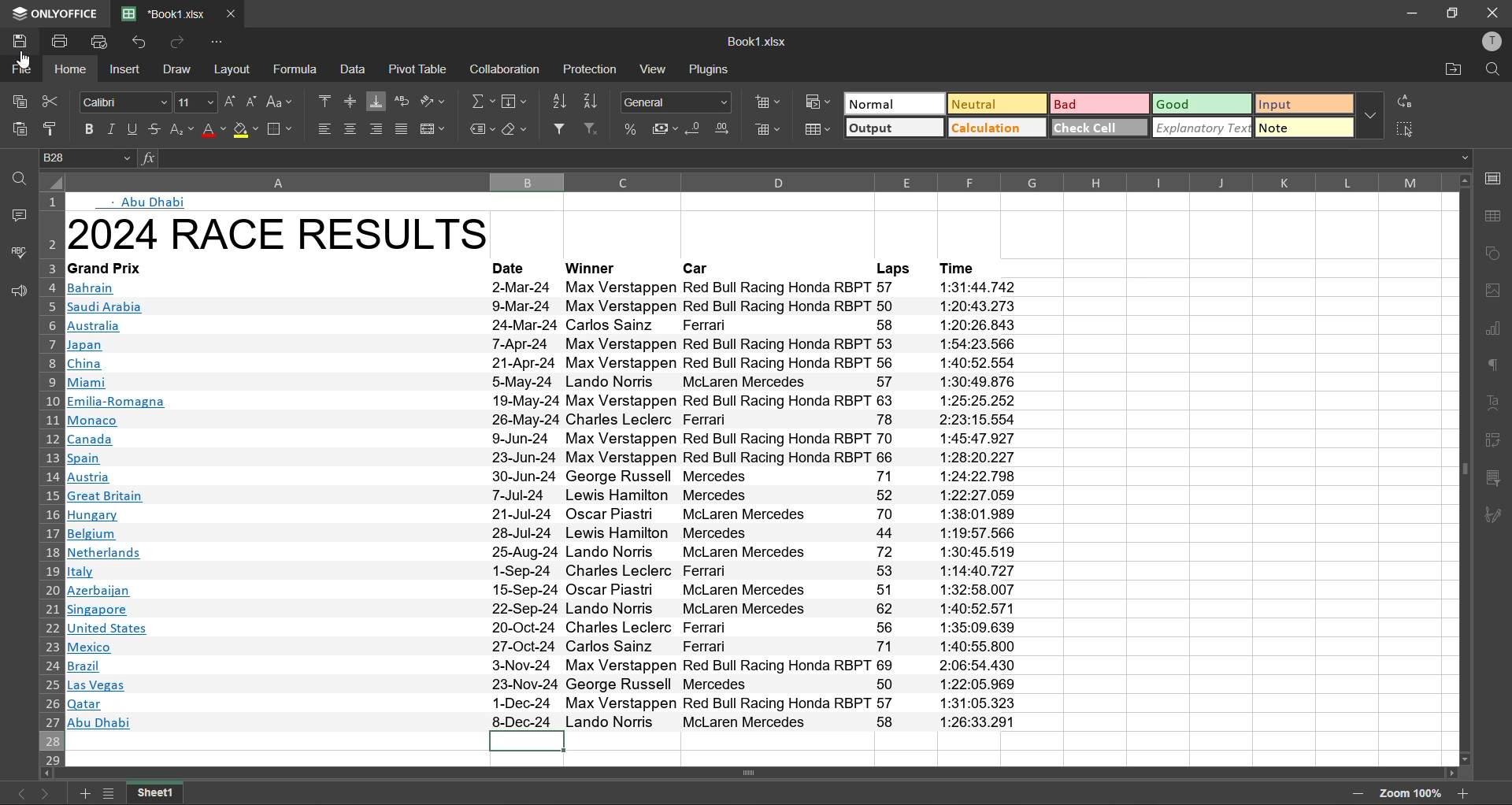 The width and height of the screenshot is (1512, 805). What do you see at coordinates (653, 68) in the screenshot?
I see `view` at bounding box center [653, 68].